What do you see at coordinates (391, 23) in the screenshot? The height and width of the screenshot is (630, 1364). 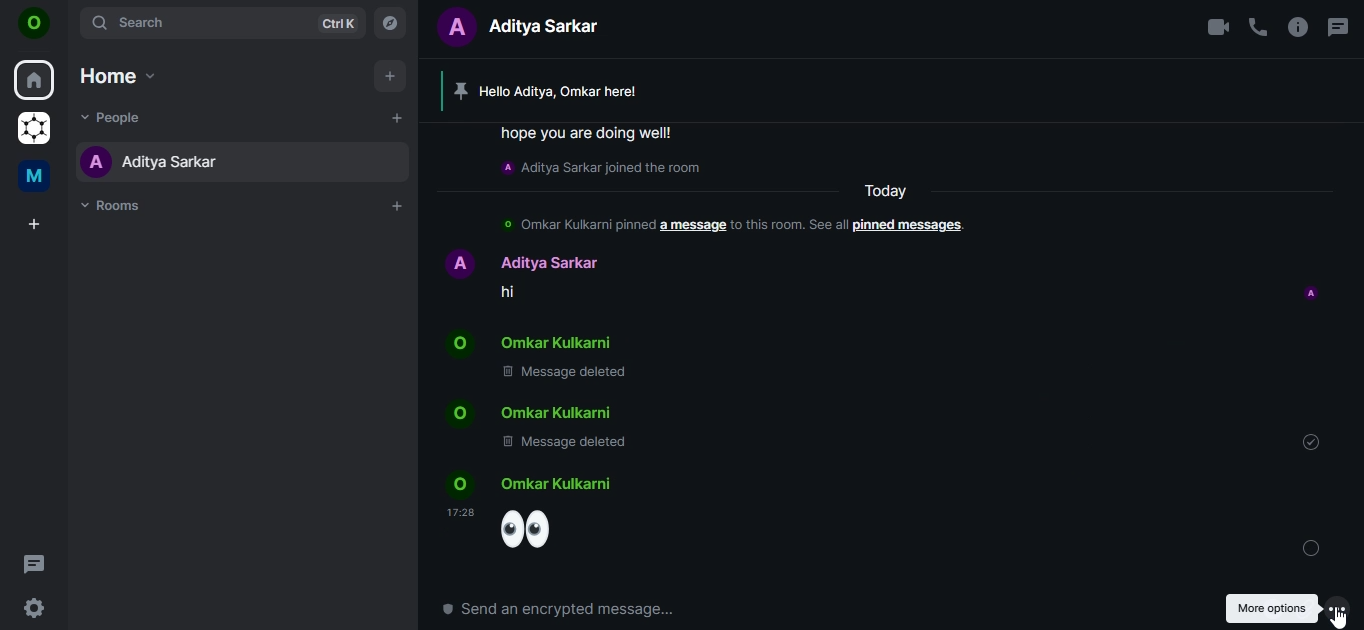 I see `explore rooms` at bounding box center [391, 23].